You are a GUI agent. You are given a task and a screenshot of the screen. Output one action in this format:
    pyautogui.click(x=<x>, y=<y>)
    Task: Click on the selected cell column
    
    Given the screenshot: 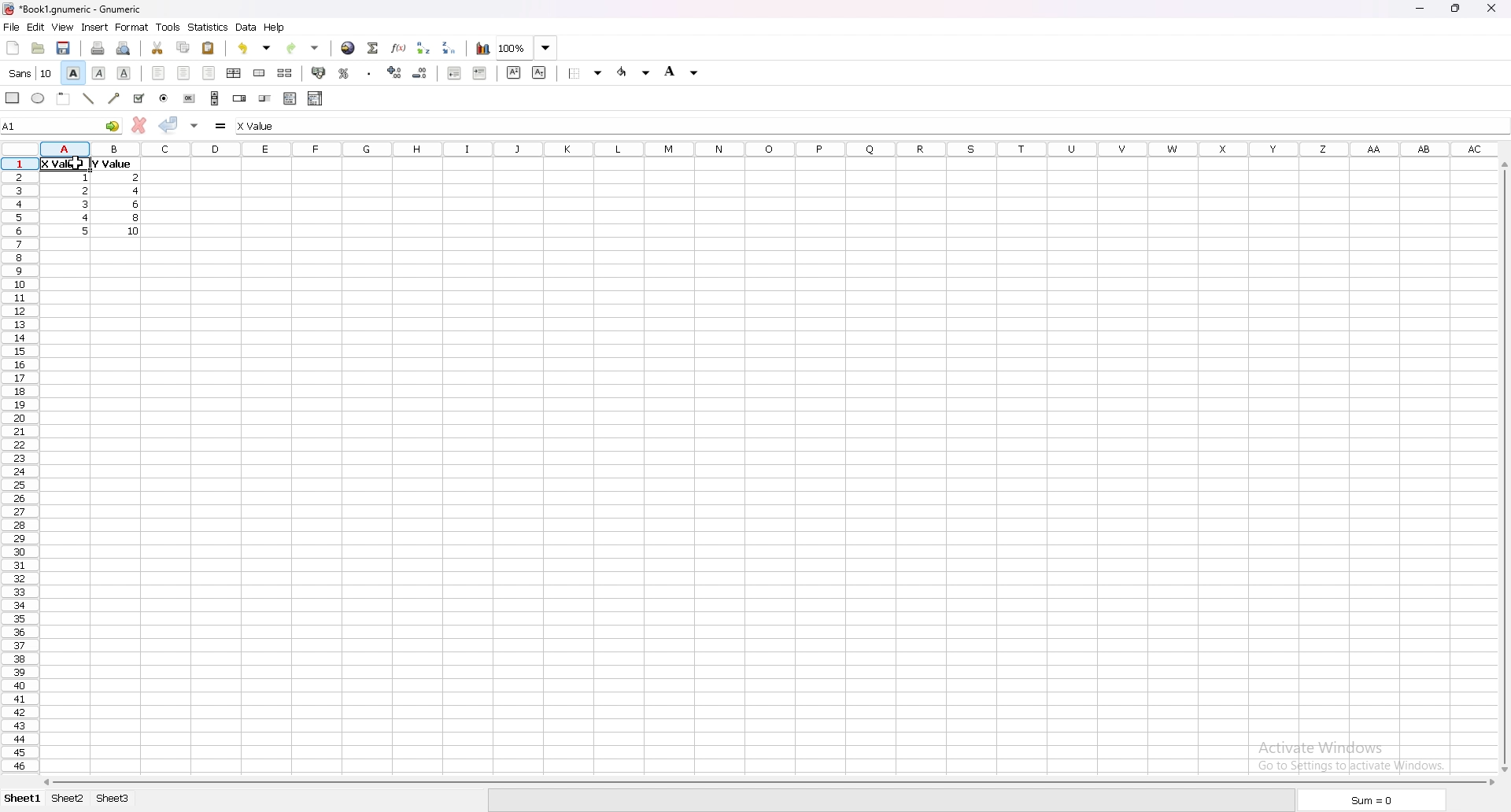 What is the action you would take?
    pyautogui.click(x=66, y=149)
    